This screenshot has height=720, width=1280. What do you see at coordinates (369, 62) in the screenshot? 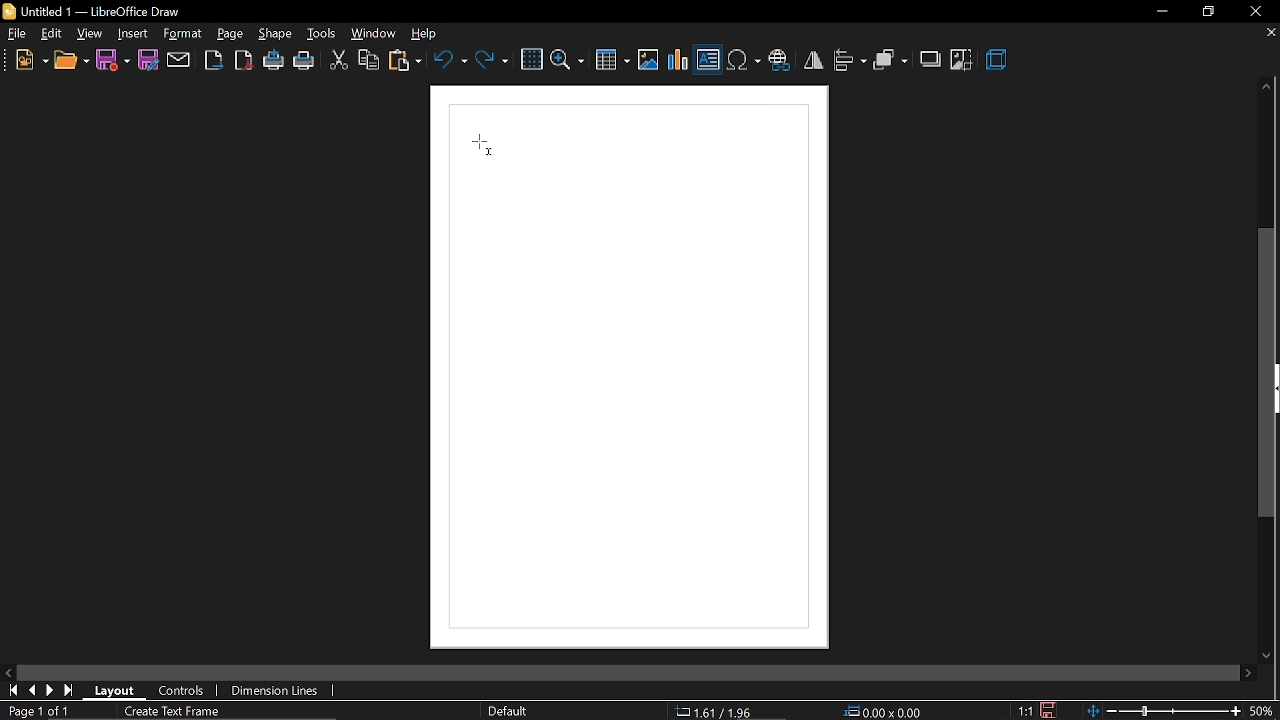
I see `copy` at bounding box center [369, 62].